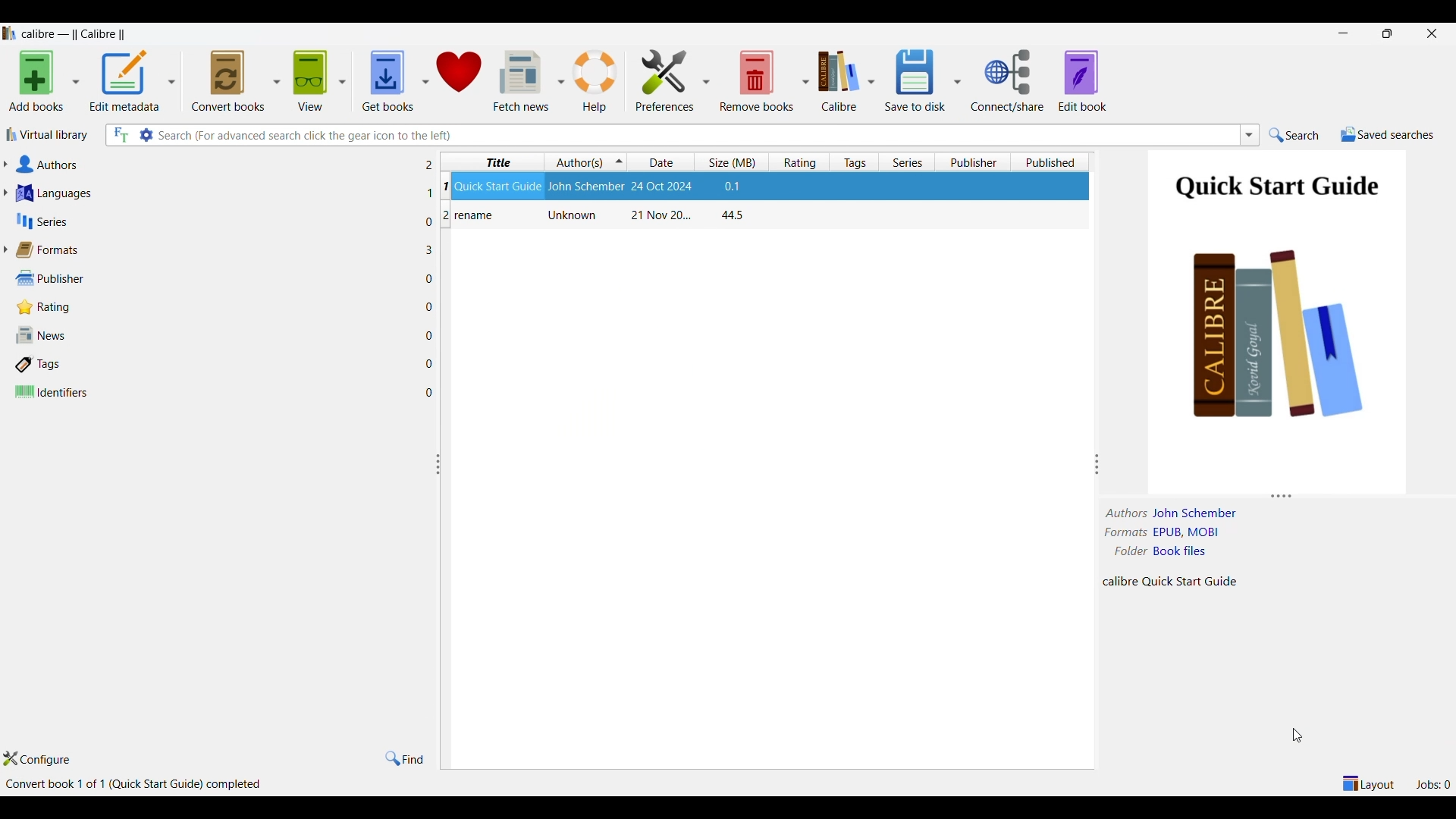 The height and width of the screenshot is (819, 1456). I want to click on Remove books, so click(756, 80).